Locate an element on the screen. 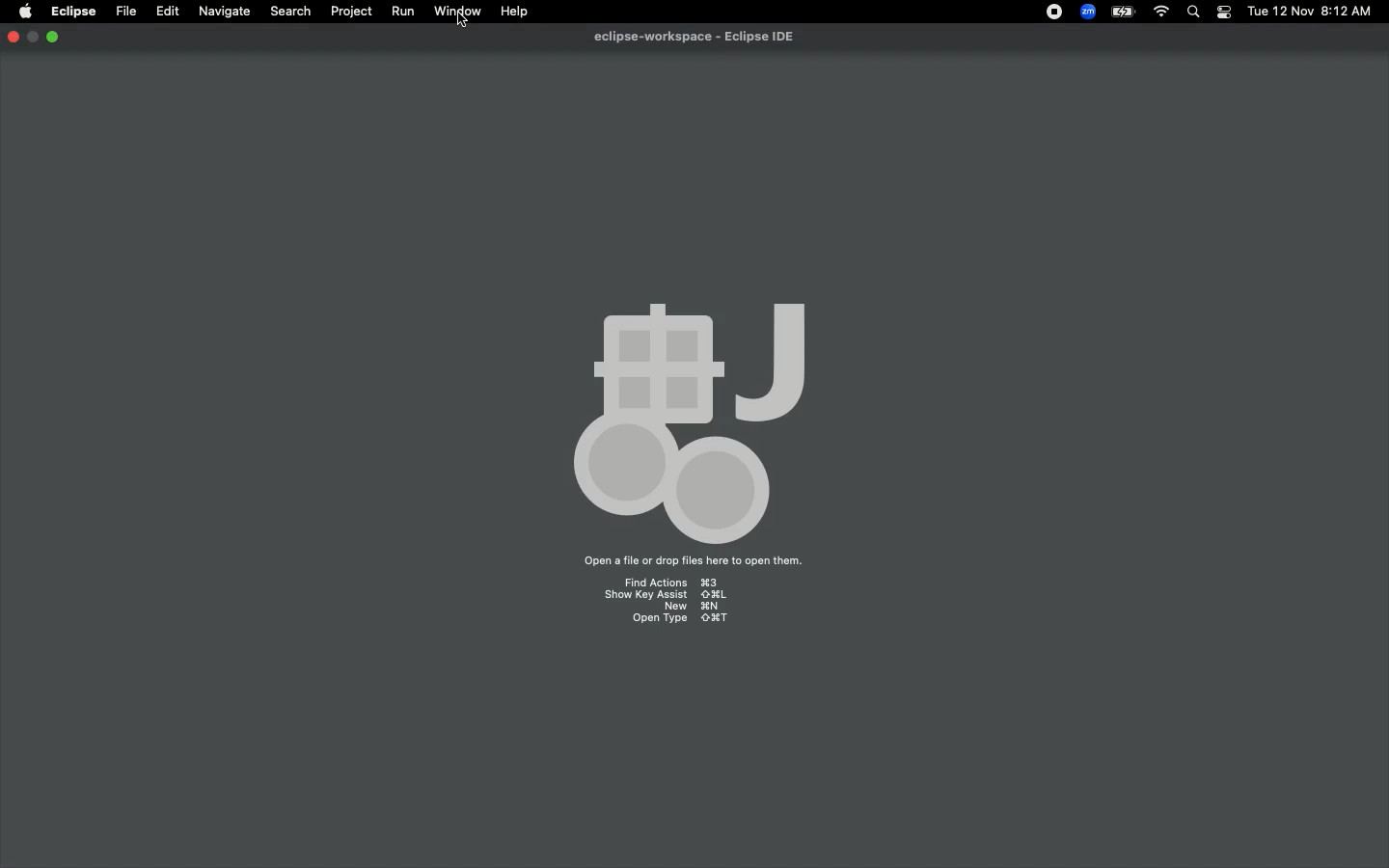 This screenshot has height=868, width=1389. Charge is located at coordinates (1119, 14).